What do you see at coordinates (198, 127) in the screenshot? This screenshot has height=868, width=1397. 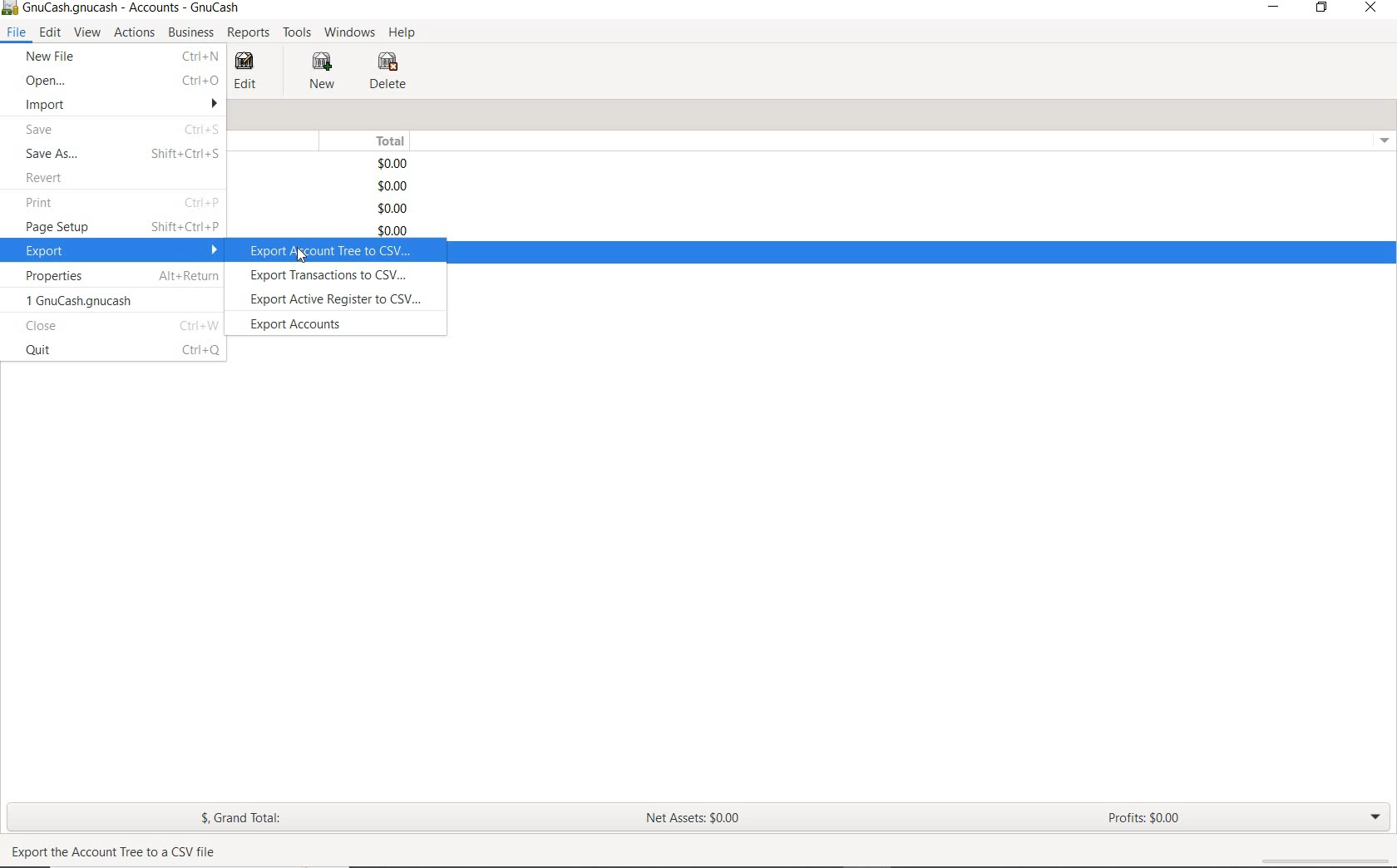 I see `Ctrl+S` at bounding box center [198, 127].